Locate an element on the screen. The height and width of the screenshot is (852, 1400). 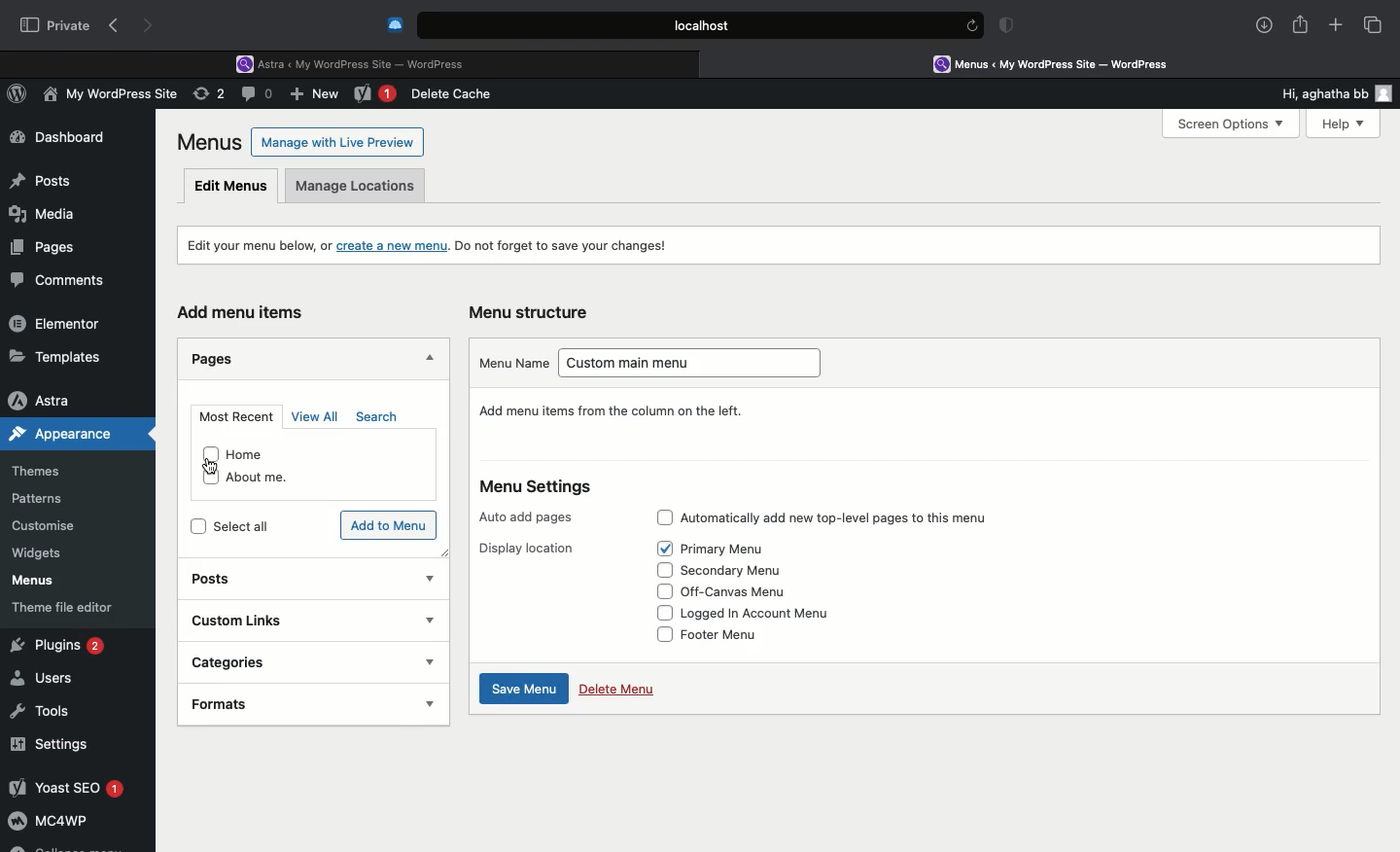
Users is located at coordinates (46, 679).